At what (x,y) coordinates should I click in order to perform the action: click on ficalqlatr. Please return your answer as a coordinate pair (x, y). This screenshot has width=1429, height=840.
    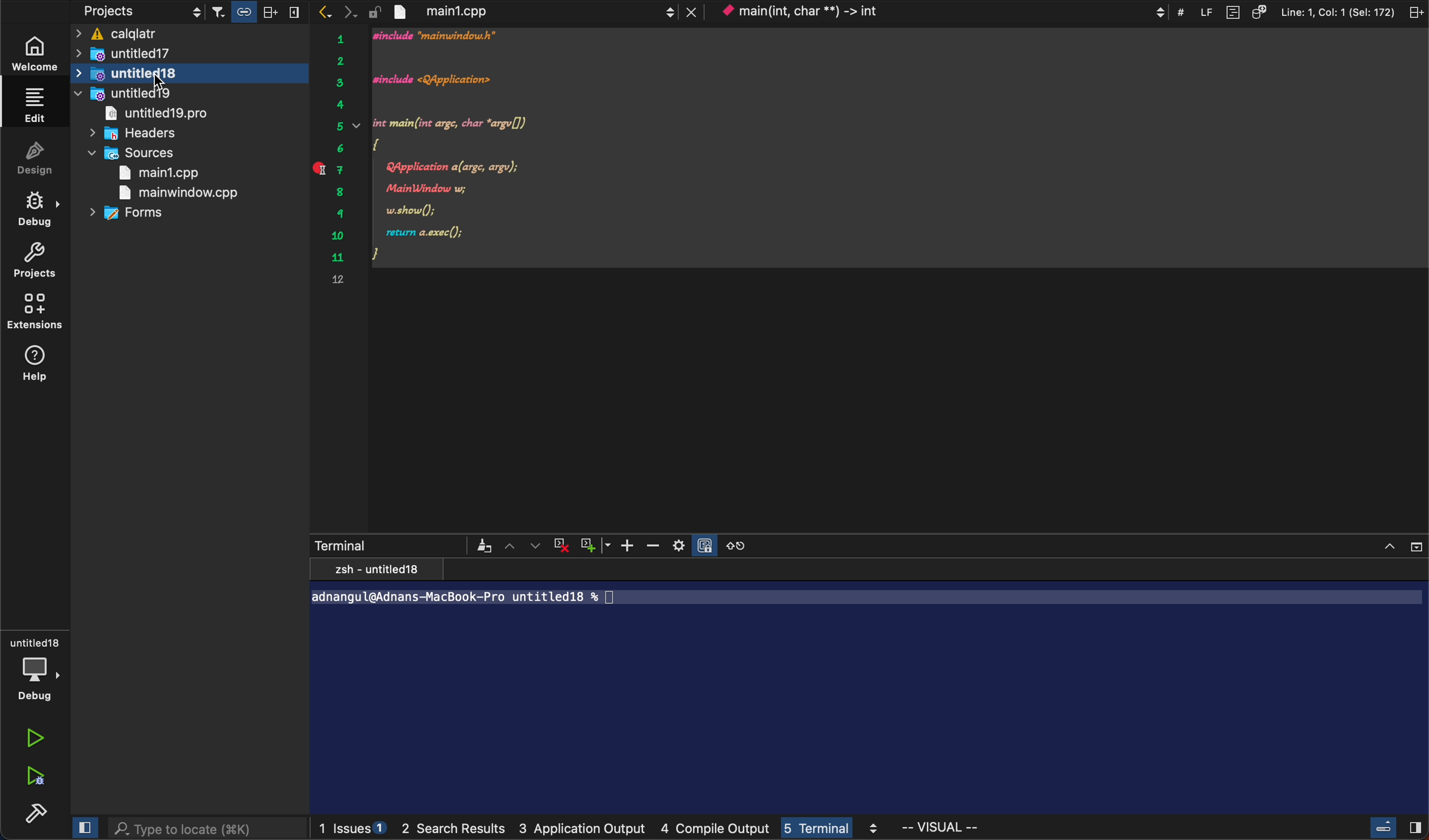
    Looking at the image, I should click on (188, 33).